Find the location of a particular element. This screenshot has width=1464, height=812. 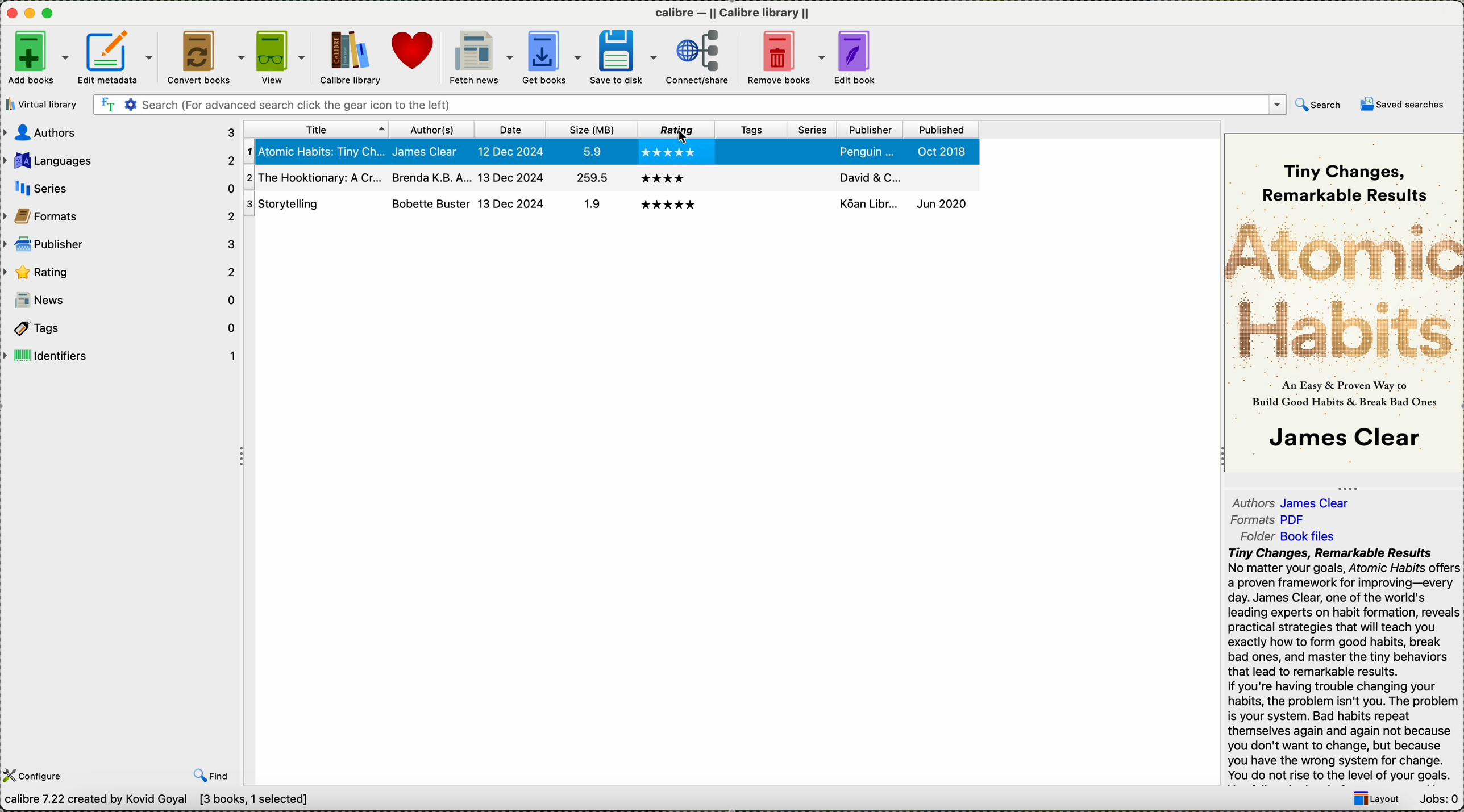

formats PDF is located at coordinates (1250, 520).